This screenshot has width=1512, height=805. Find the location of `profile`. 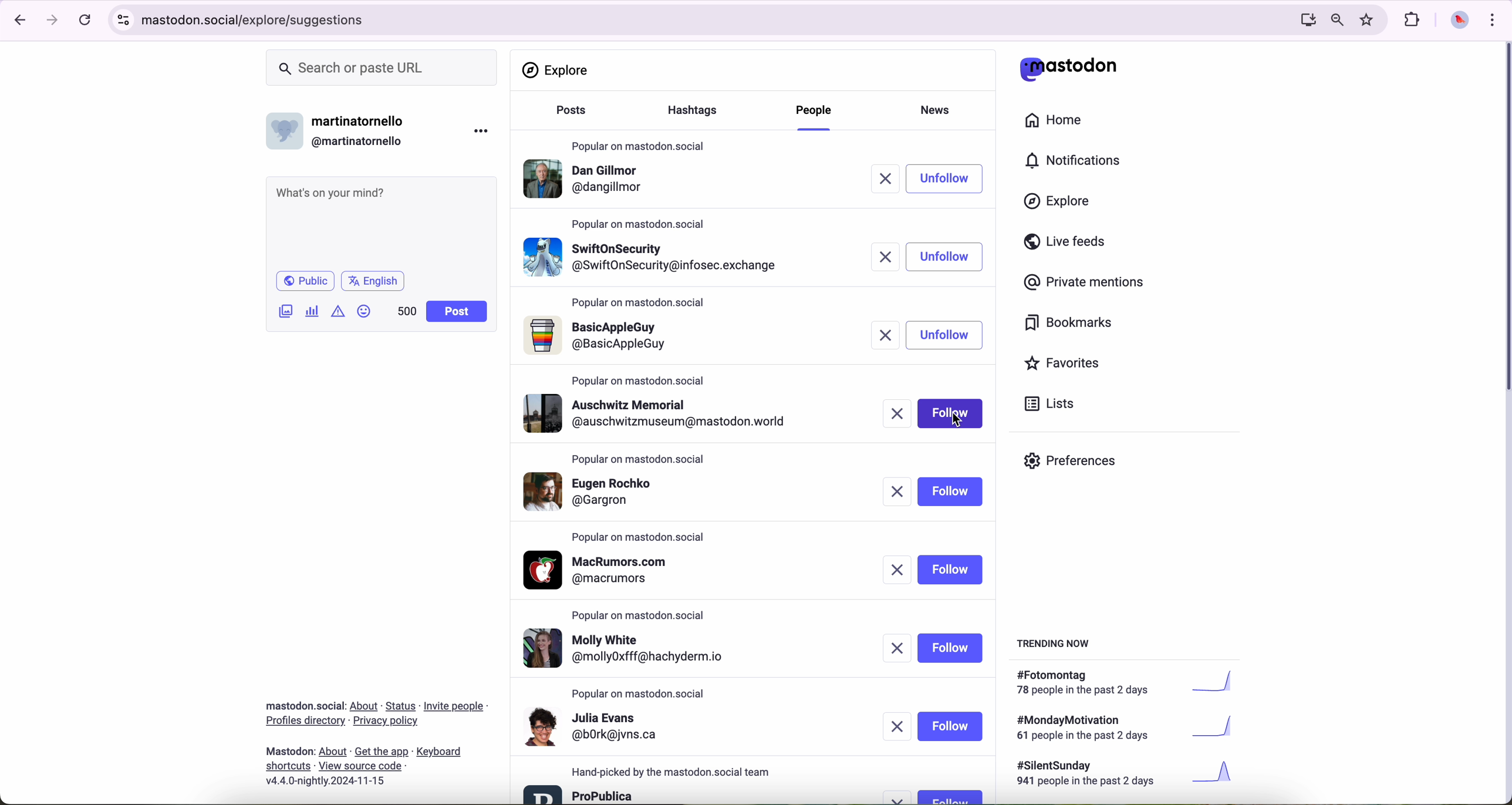

profile is located at coordinates (635, 649).